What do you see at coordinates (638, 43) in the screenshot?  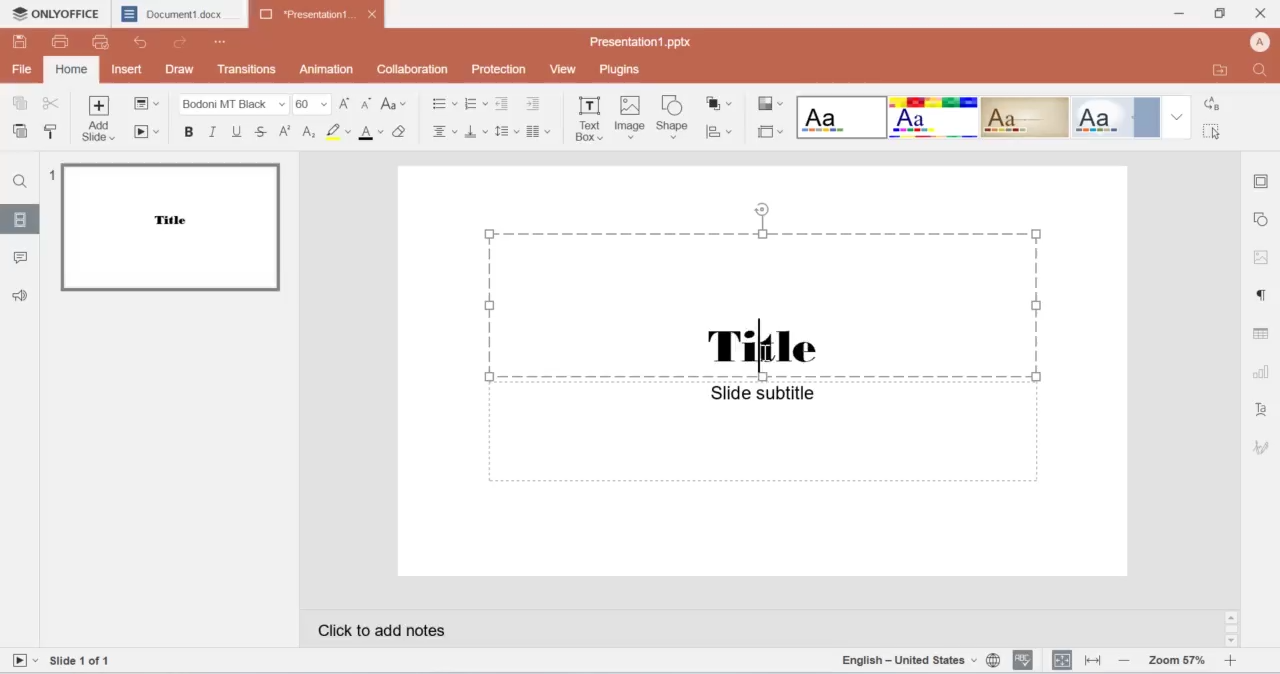 I see `name of the presentation` at bounding box center [638, 43].